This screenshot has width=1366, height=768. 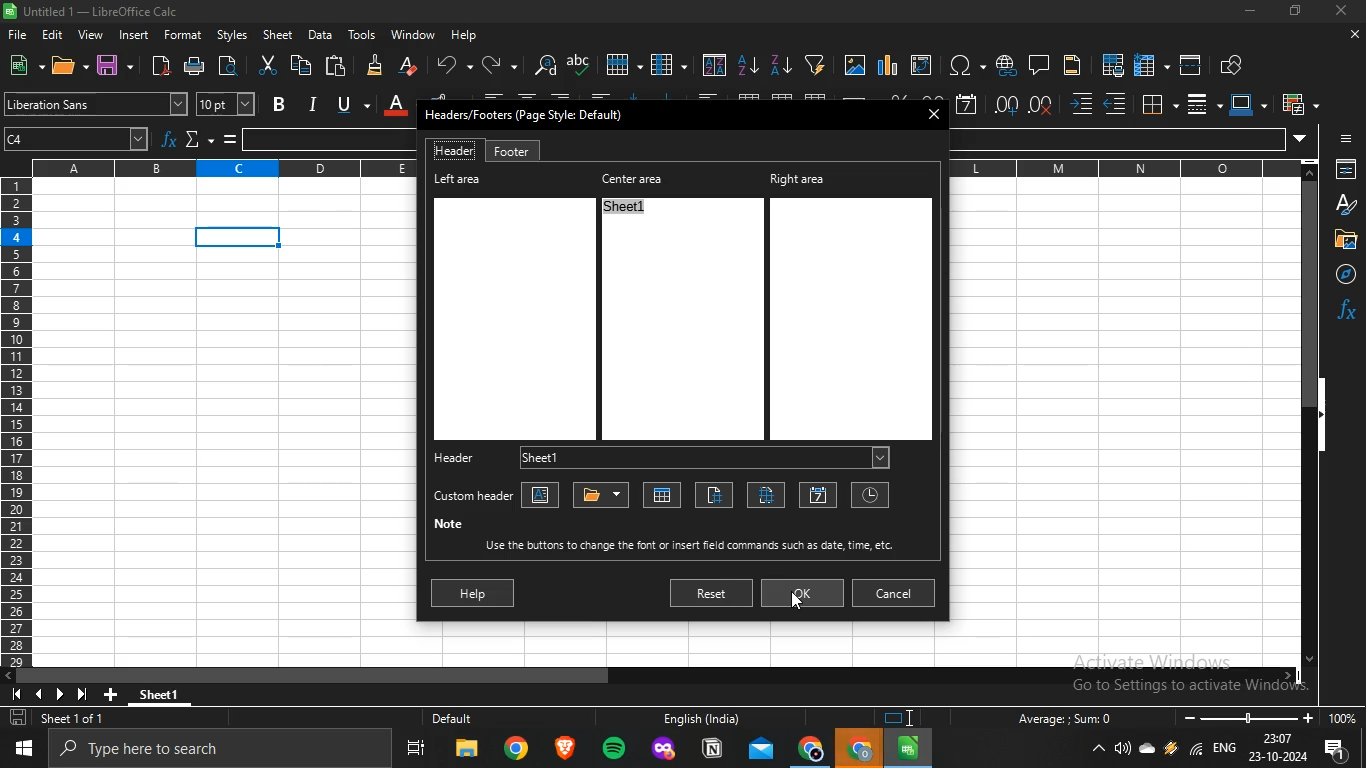 What do you see at coordinates (473, 719) in the screenshot?
I see `Default` at bounding box center [473, 719].